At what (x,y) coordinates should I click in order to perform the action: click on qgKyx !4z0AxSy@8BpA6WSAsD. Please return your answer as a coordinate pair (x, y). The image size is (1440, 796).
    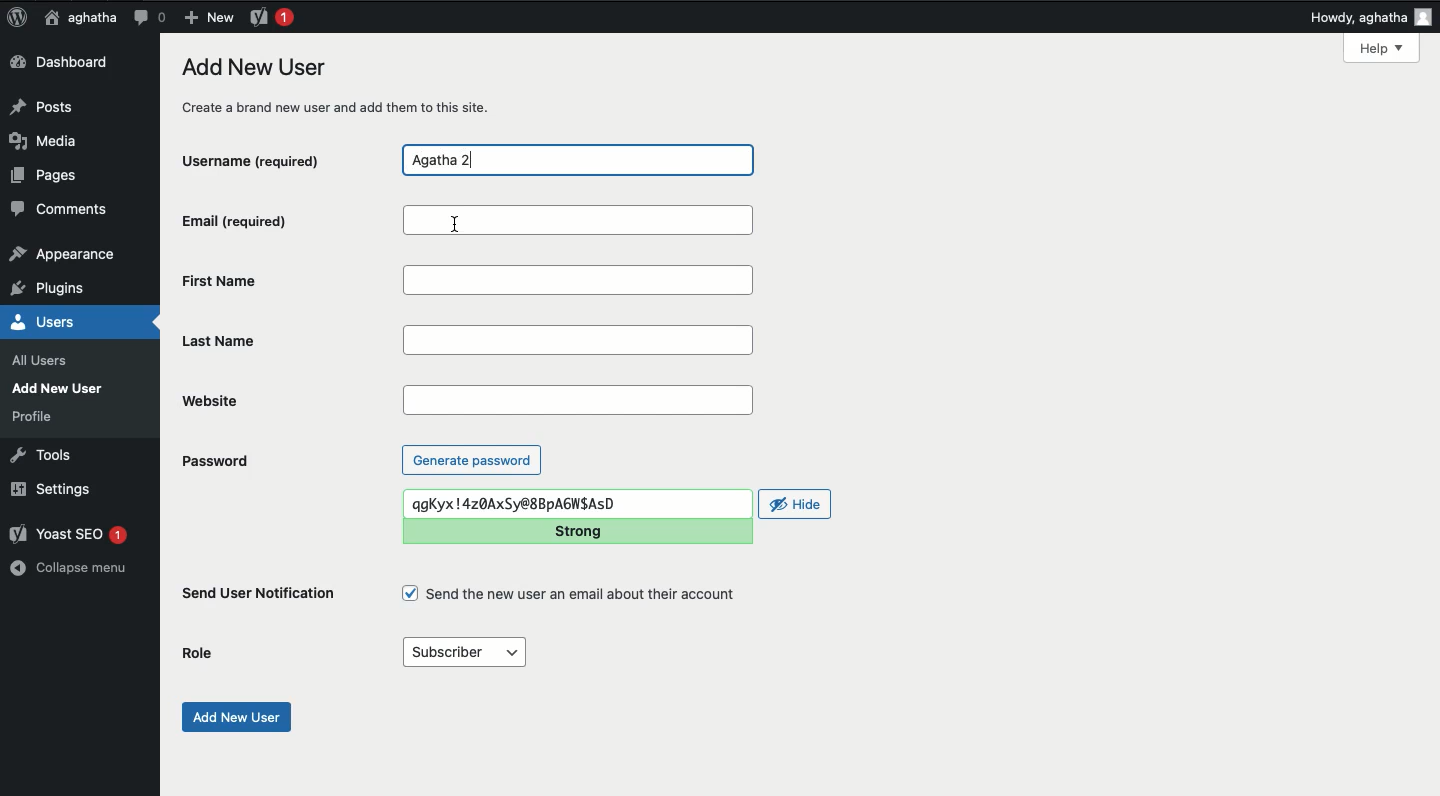
    Looking at the image, I should click on (576, 504).